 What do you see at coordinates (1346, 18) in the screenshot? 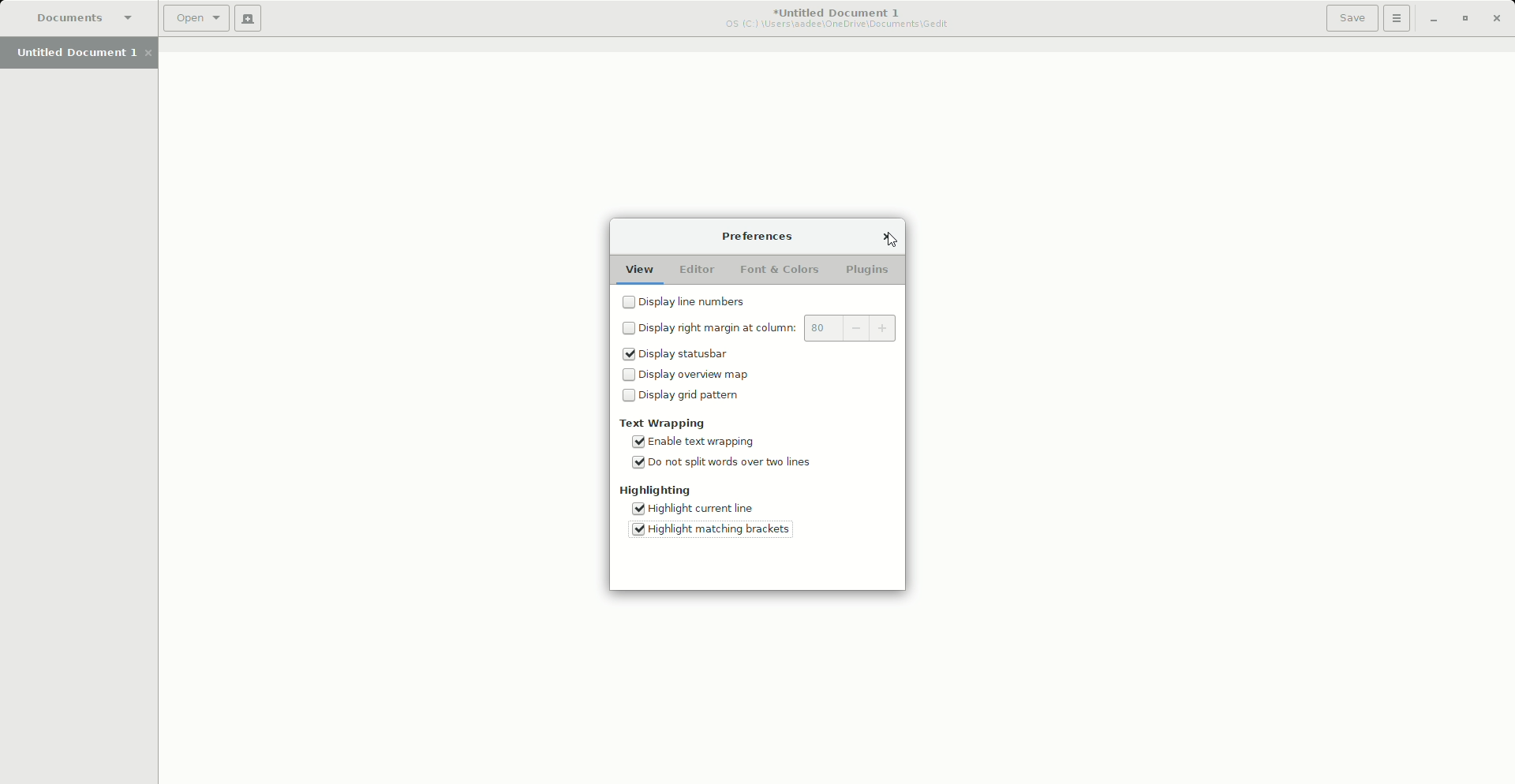
I see `Save` at bounding box center [1346, 18].